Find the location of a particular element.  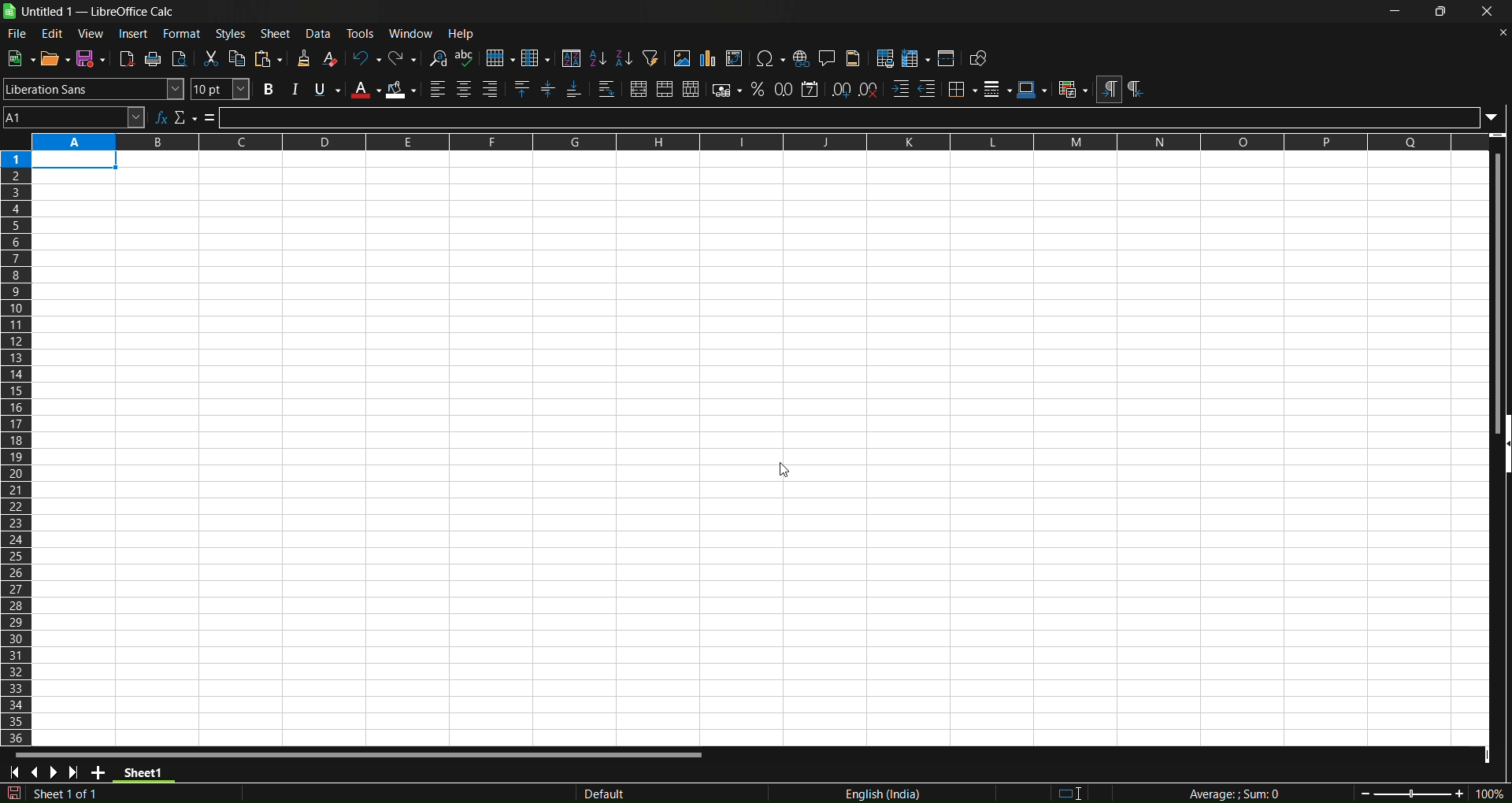

insert or edit pivot table is located at coordinates (736, 58).